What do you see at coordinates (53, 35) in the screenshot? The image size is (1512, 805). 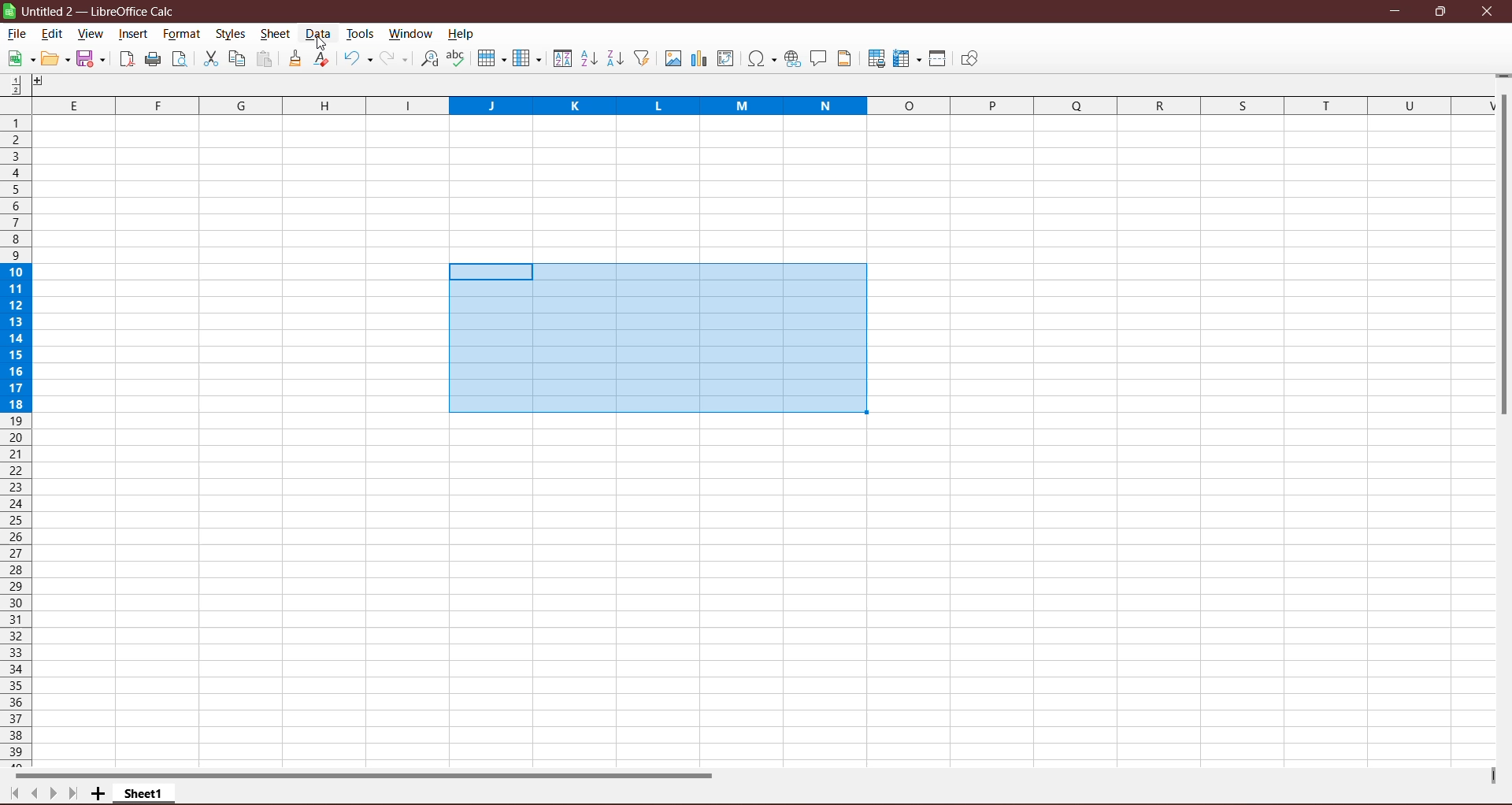 I see `Edit` at bounding box center [53, 35].